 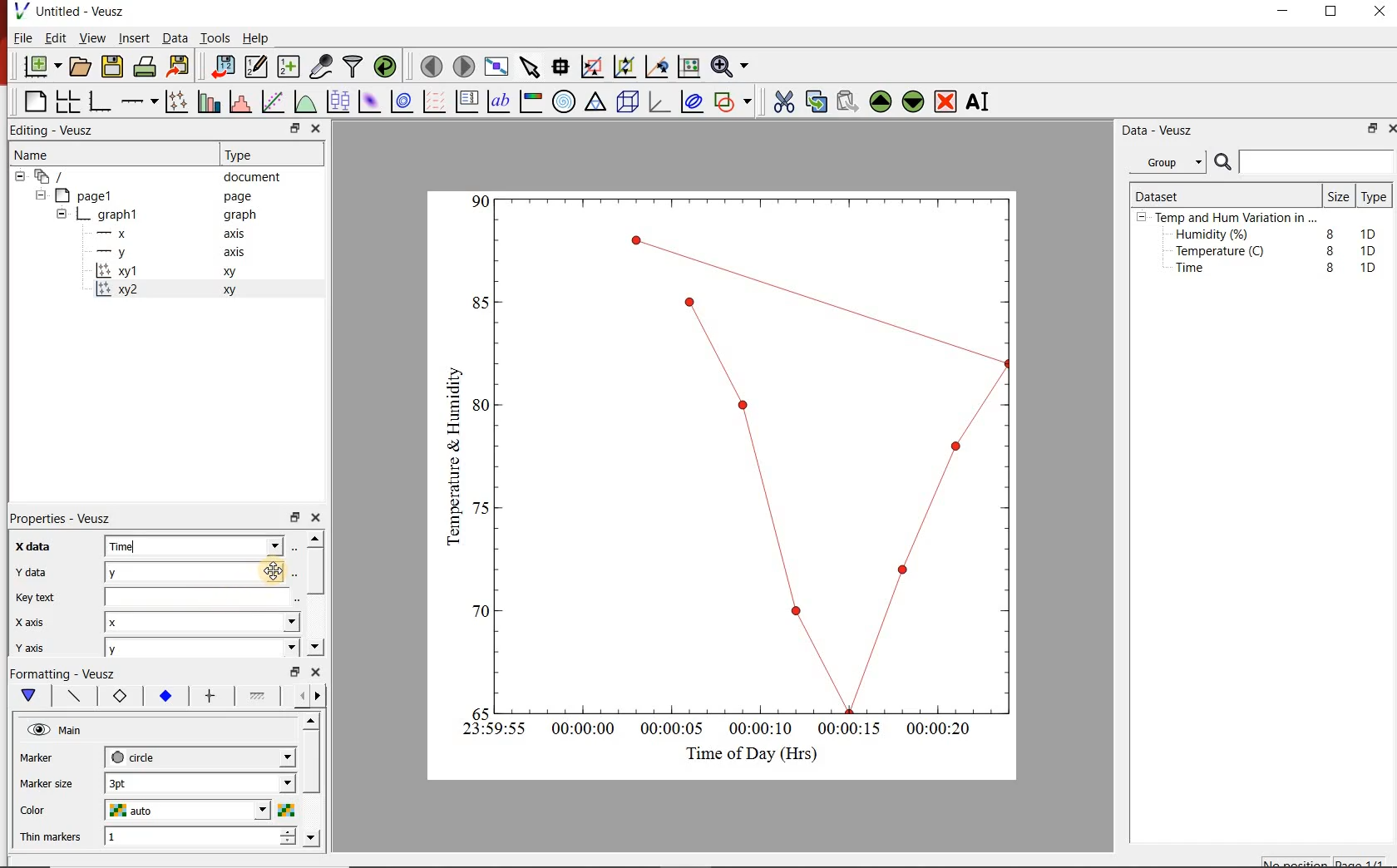 I want to click on Select using dataset browser, so click(x=295, y=572).